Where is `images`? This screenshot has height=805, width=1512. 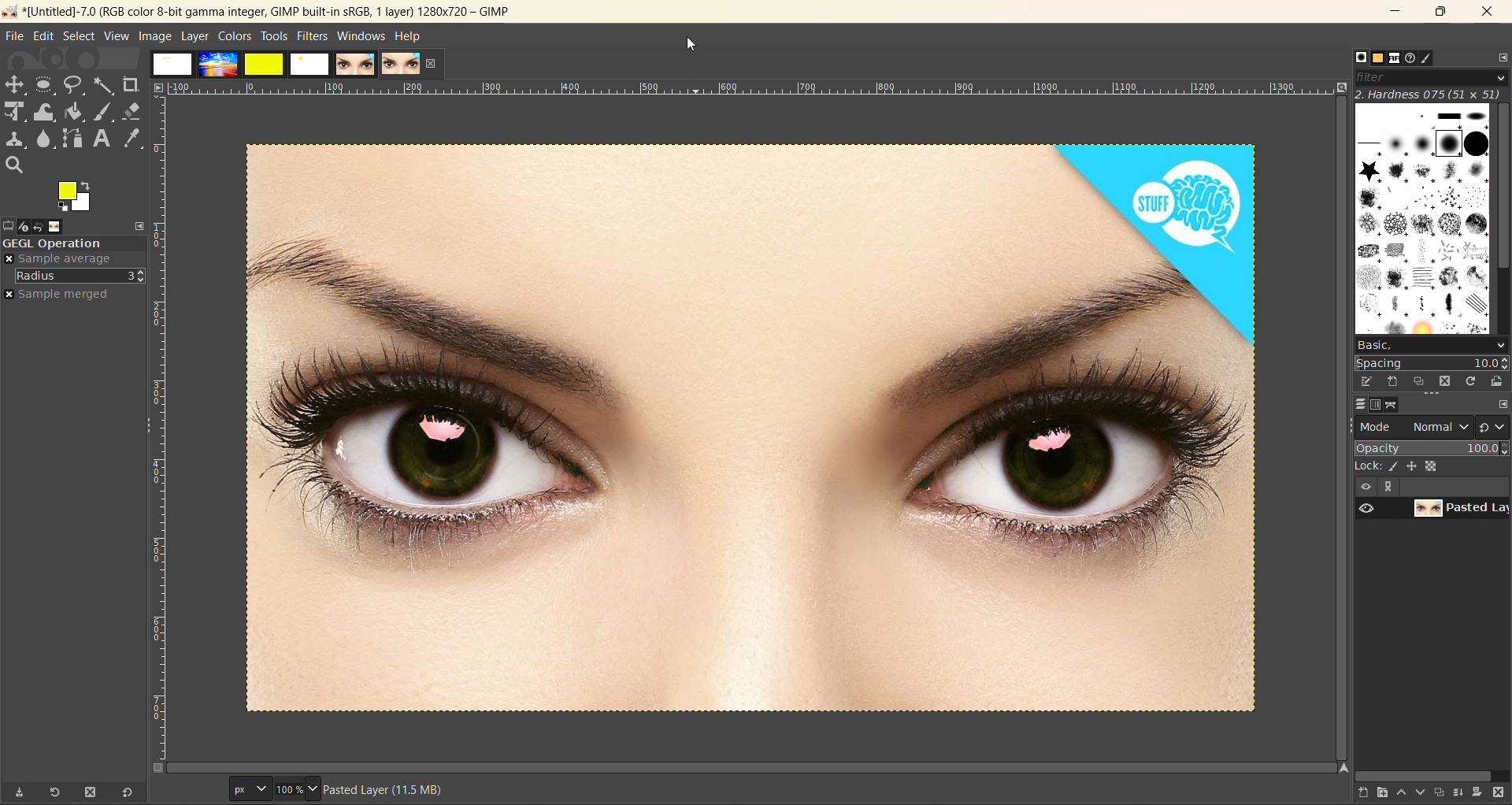 images is located at coordinates (61, 226).